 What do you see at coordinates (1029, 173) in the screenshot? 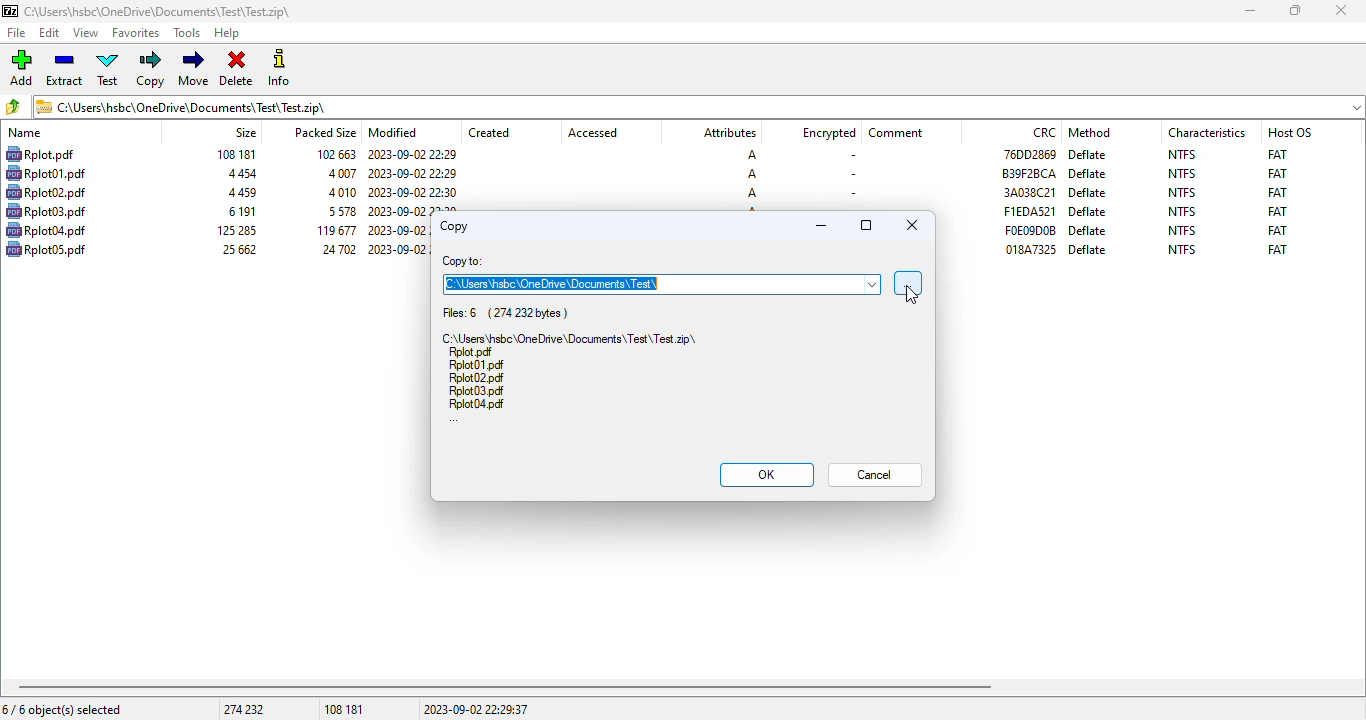
I see `CRC` at bounding box center [1029, 173].